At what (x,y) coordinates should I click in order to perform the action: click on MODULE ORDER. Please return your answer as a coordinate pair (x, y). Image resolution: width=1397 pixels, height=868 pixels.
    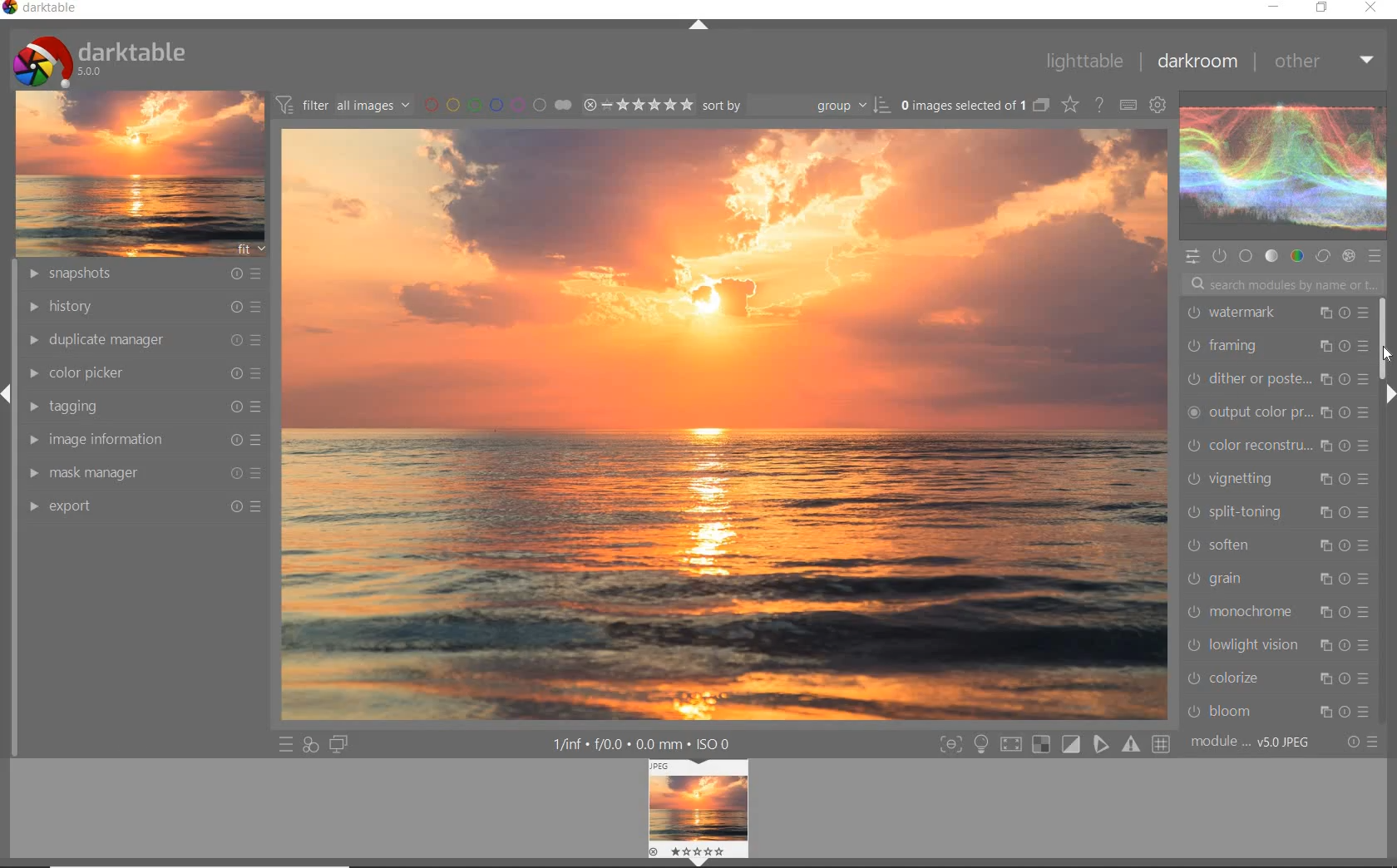
    Looking at the image, I should click on (1252, 742).